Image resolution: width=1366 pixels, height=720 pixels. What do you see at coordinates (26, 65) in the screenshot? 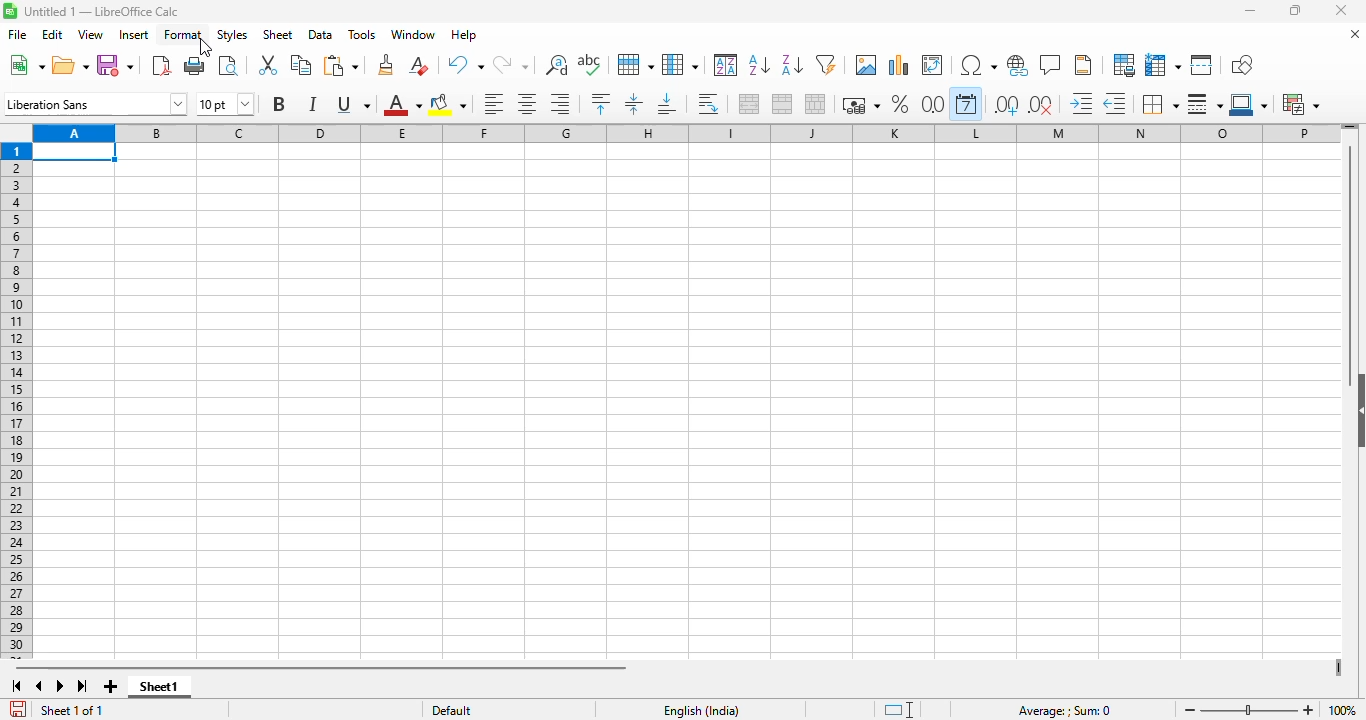
I see `new` at bounding box center [26, 65].